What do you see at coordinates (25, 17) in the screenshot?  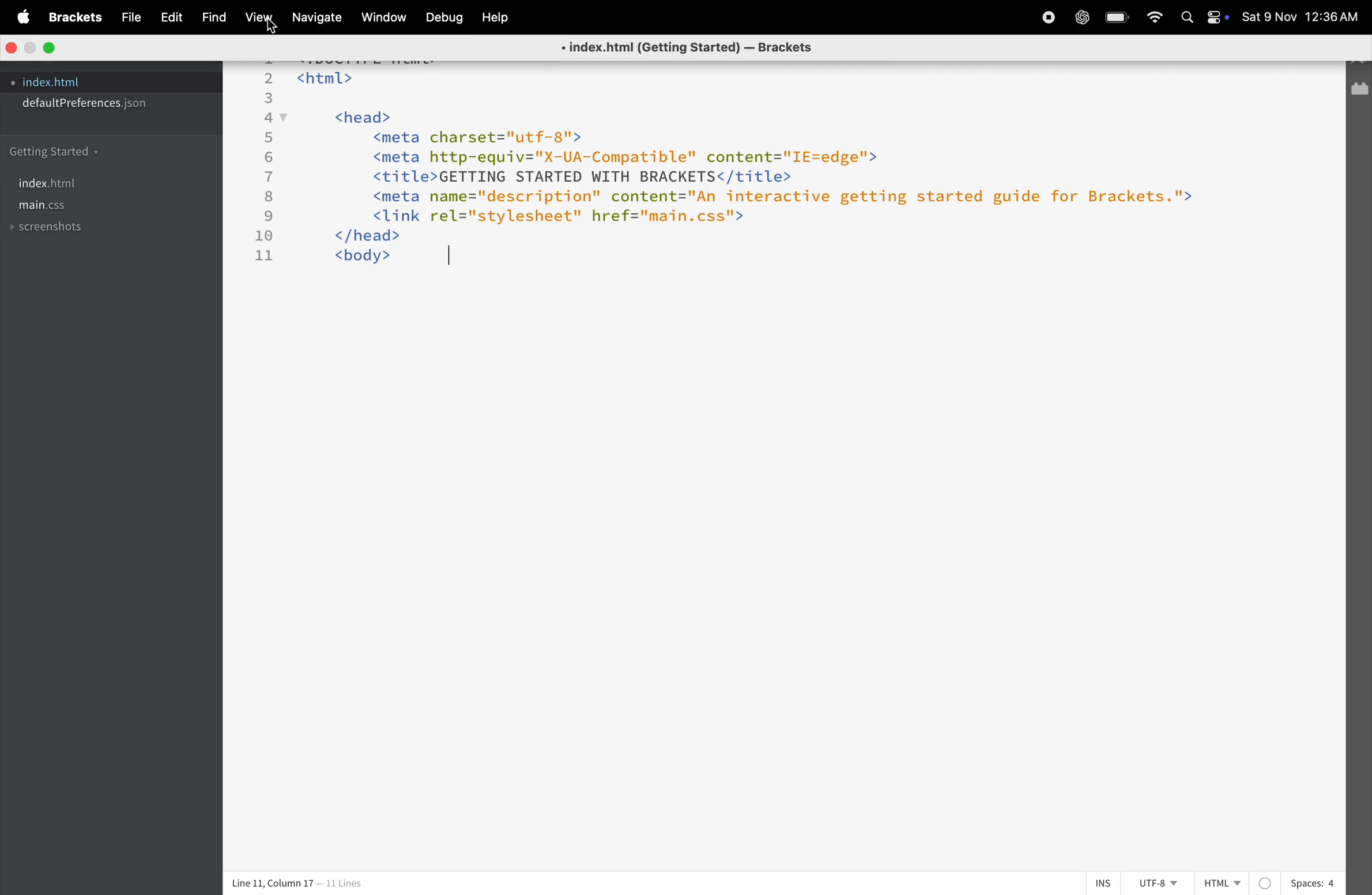 I see `apple menu` at bounding box center [25, 17].